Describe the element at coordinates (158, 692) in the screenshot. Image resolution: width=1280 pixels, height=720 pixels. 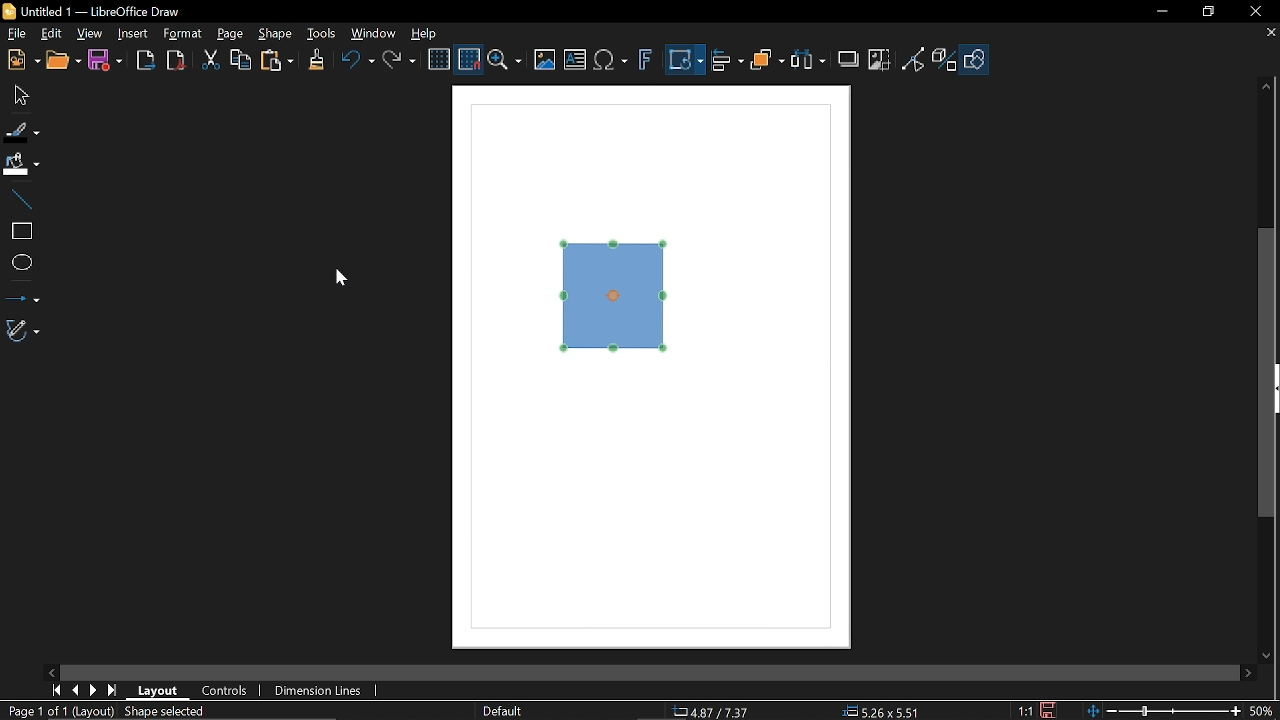
I see `layout` at that location.